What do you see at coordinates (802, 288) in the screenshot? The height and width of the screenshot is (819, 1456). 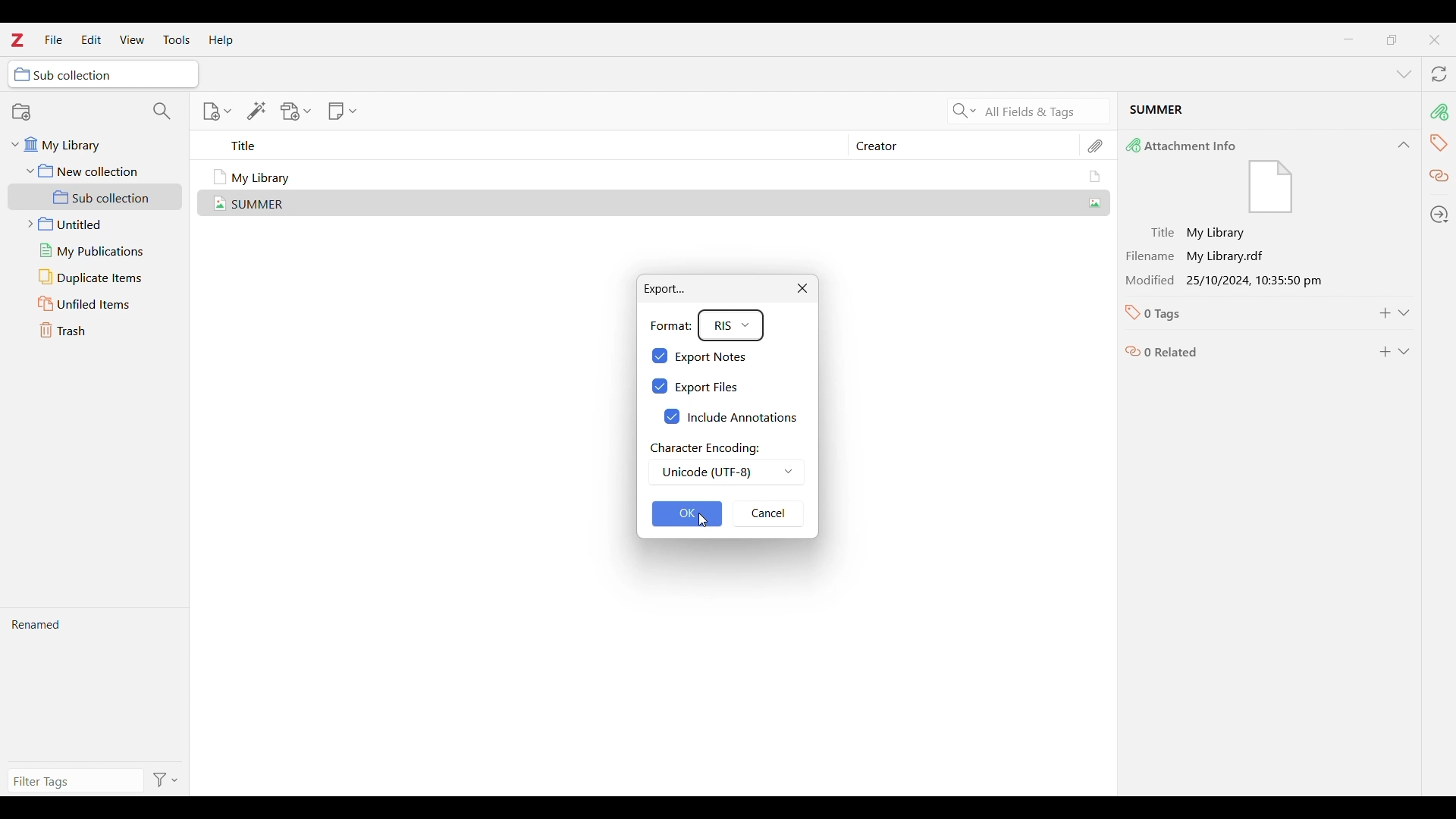 I see `Close` at bounding box center [802, 288].